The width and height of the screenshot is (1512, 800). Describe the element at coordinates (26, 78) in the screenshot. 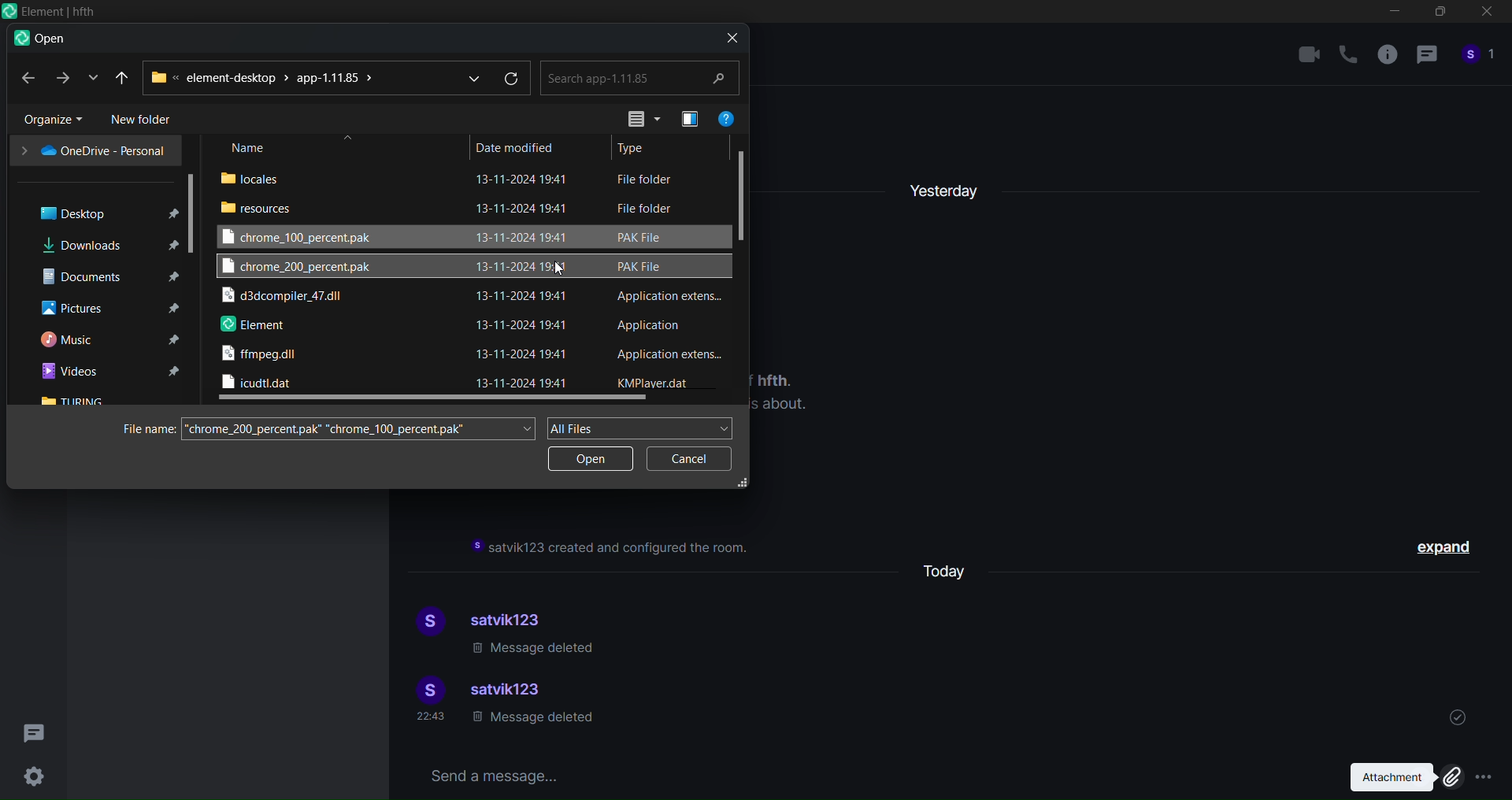

I see `back` at that location.